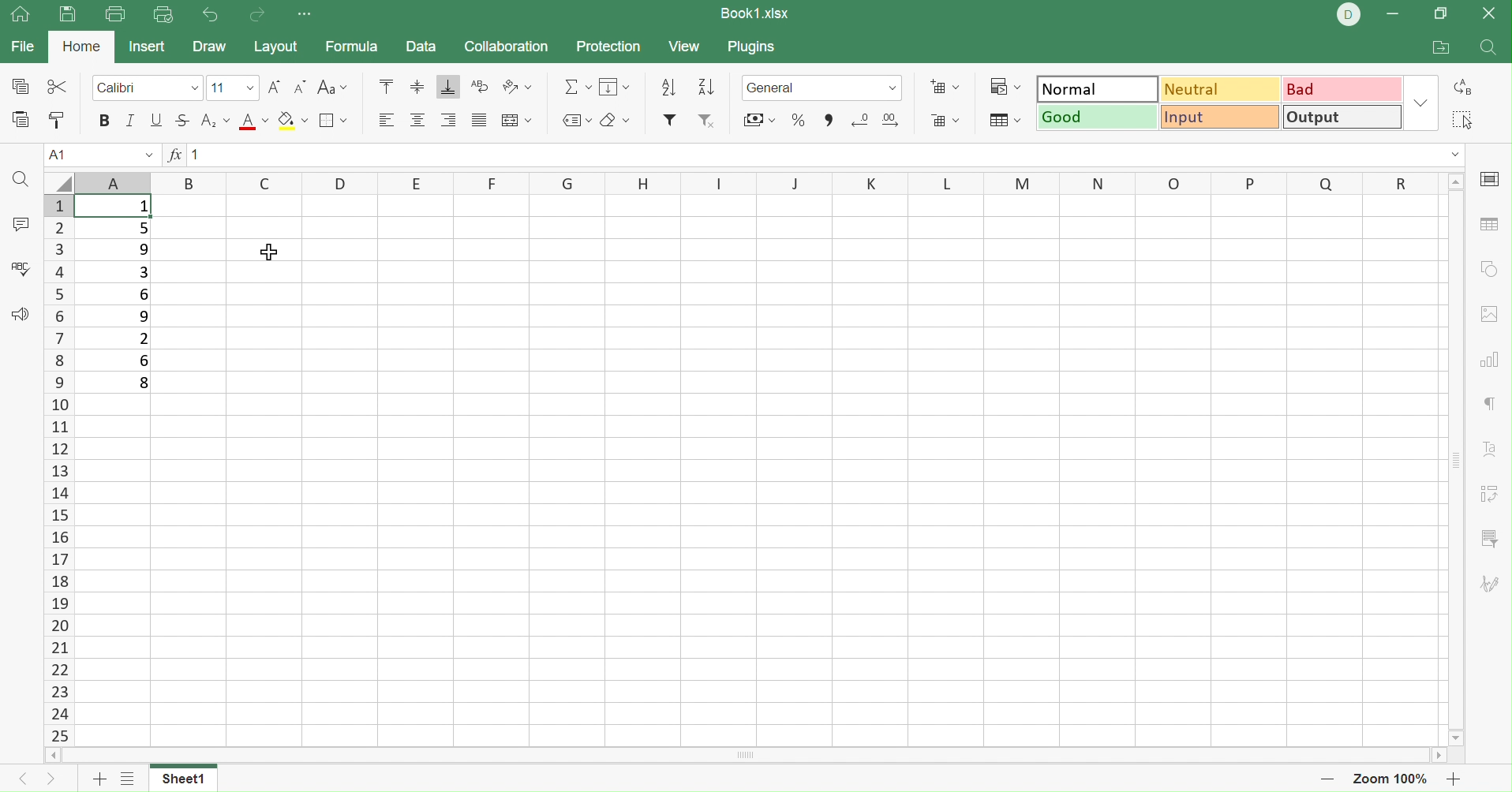 The width and height of the screenshot is (1512, 792). What do you see at coordinates (1493, 404) in the screenshot?
I see `Paragraph settings` at bounding box center [1493, 404].